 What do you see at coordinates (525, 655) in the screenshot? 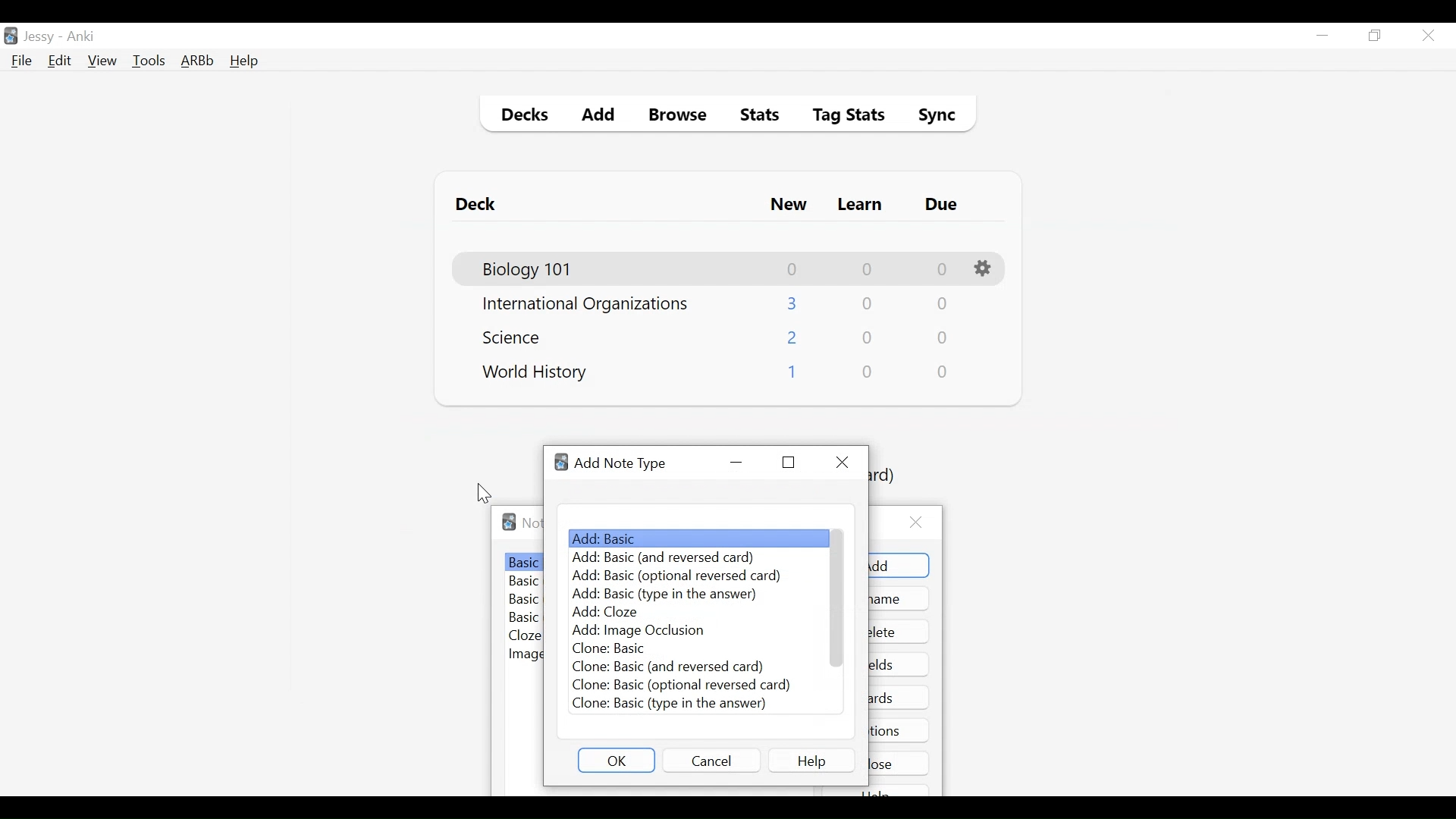
I see `Image Occlusion` at bounding box center [525, 655].